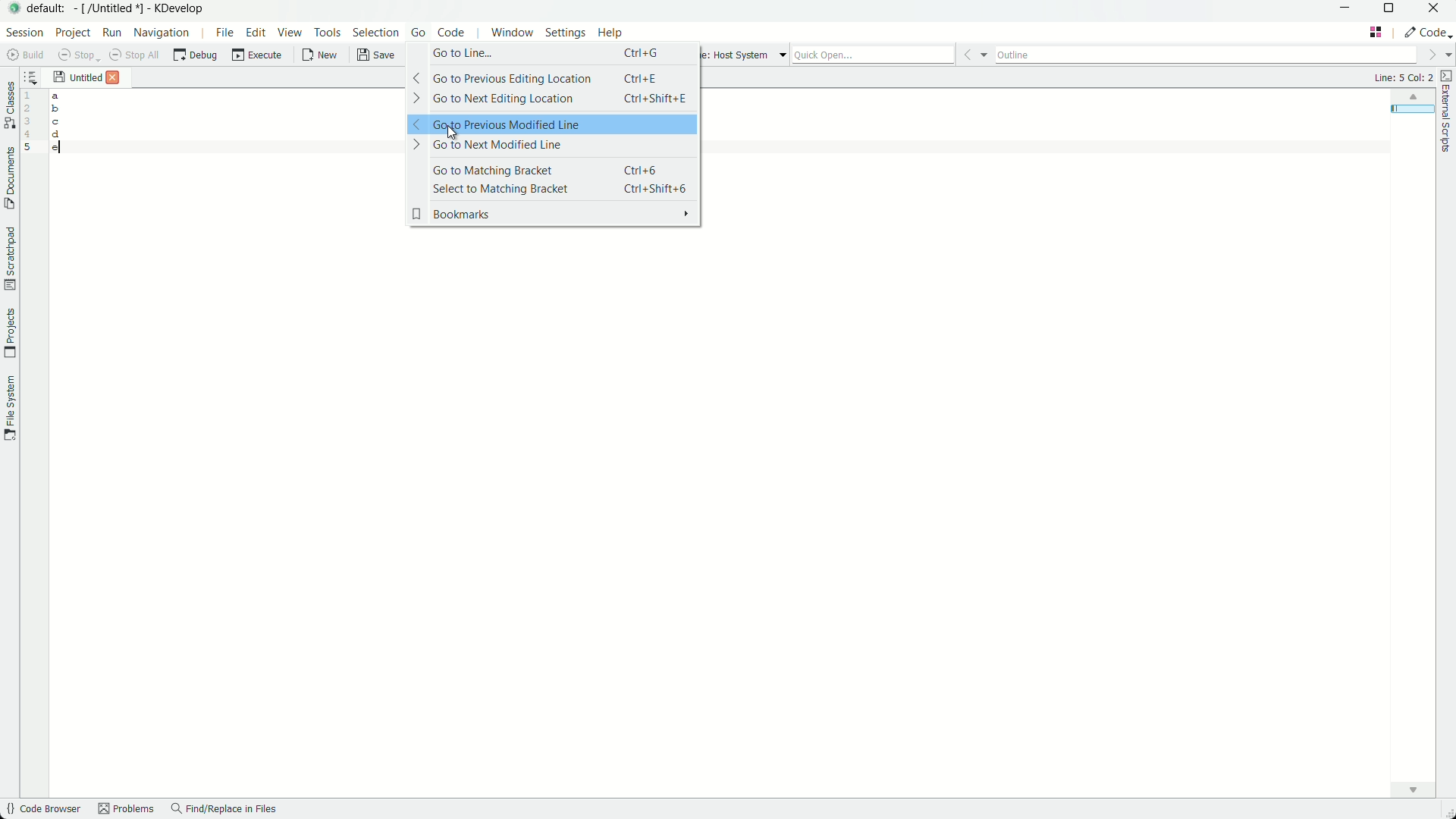  I want to click on view, so click(290, 33).